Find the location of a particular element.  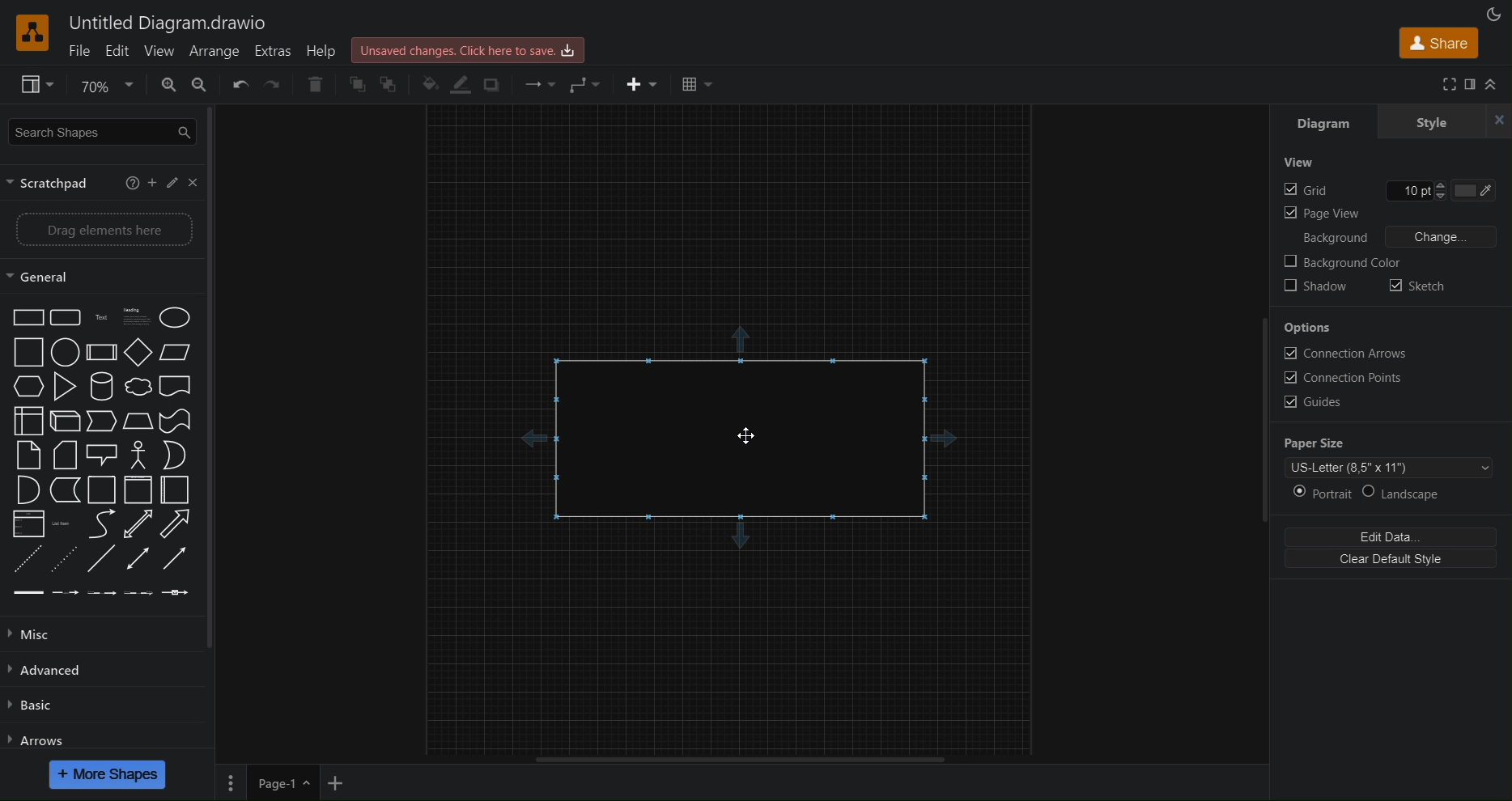

Basic is located at coordinates (33, 708).